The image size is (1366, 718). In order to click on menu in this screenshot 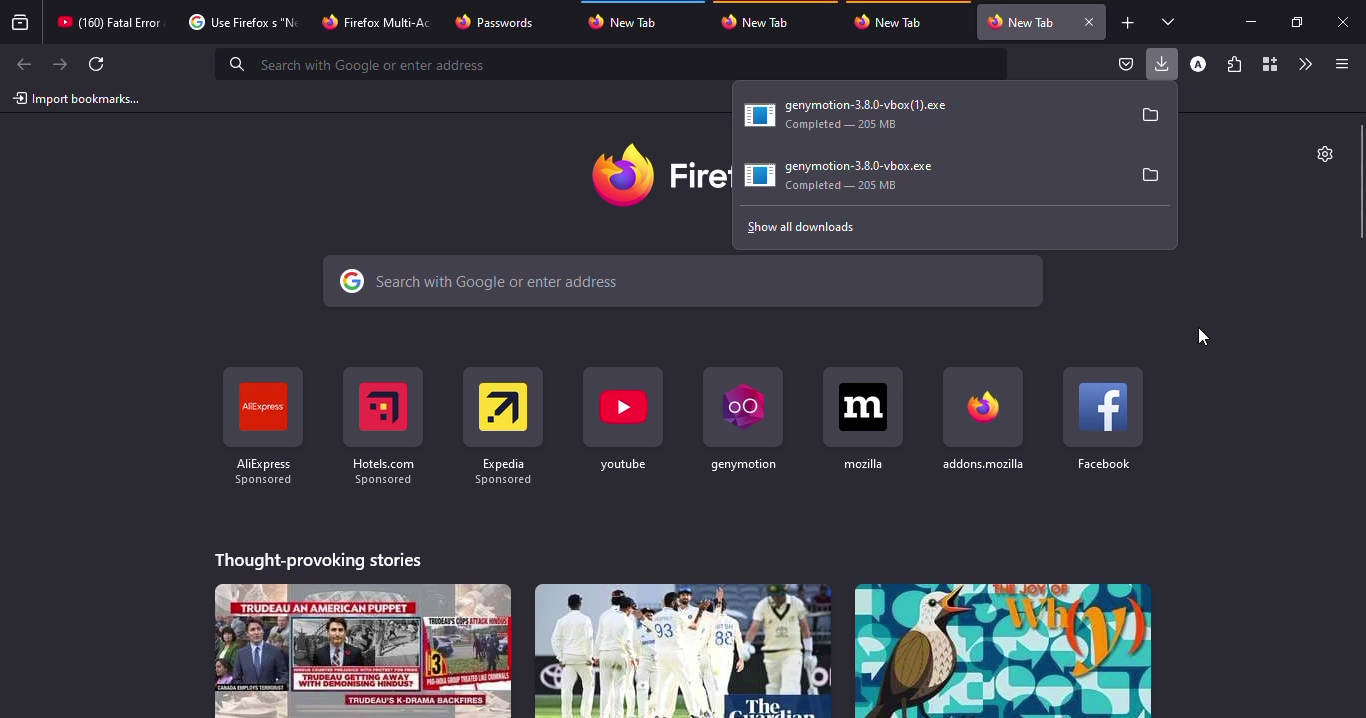, I will do `click(1338, 64)`.